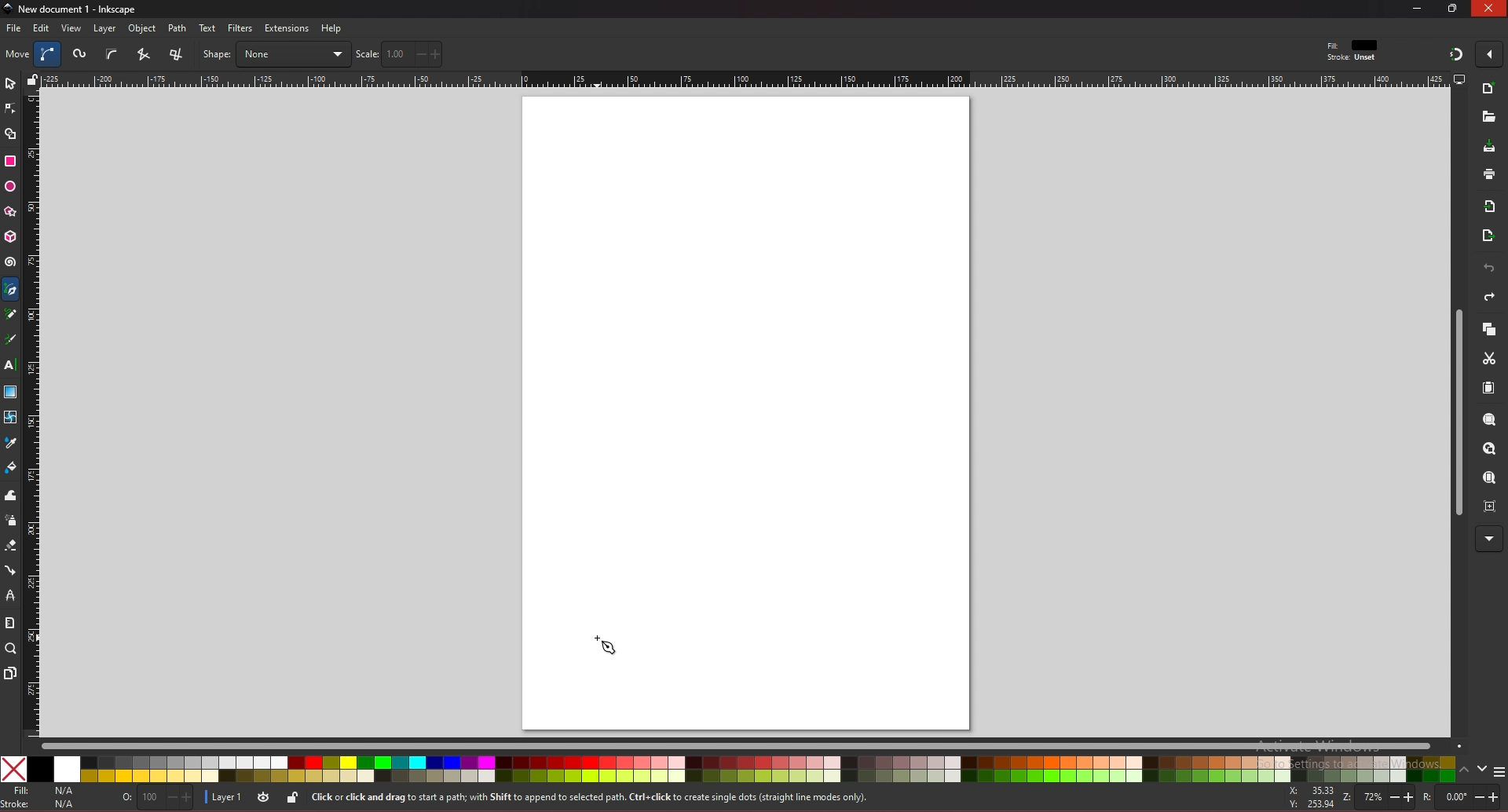 The width and height of the screenshot is (1508, 812). I want to click on edit, so click(42, 27).